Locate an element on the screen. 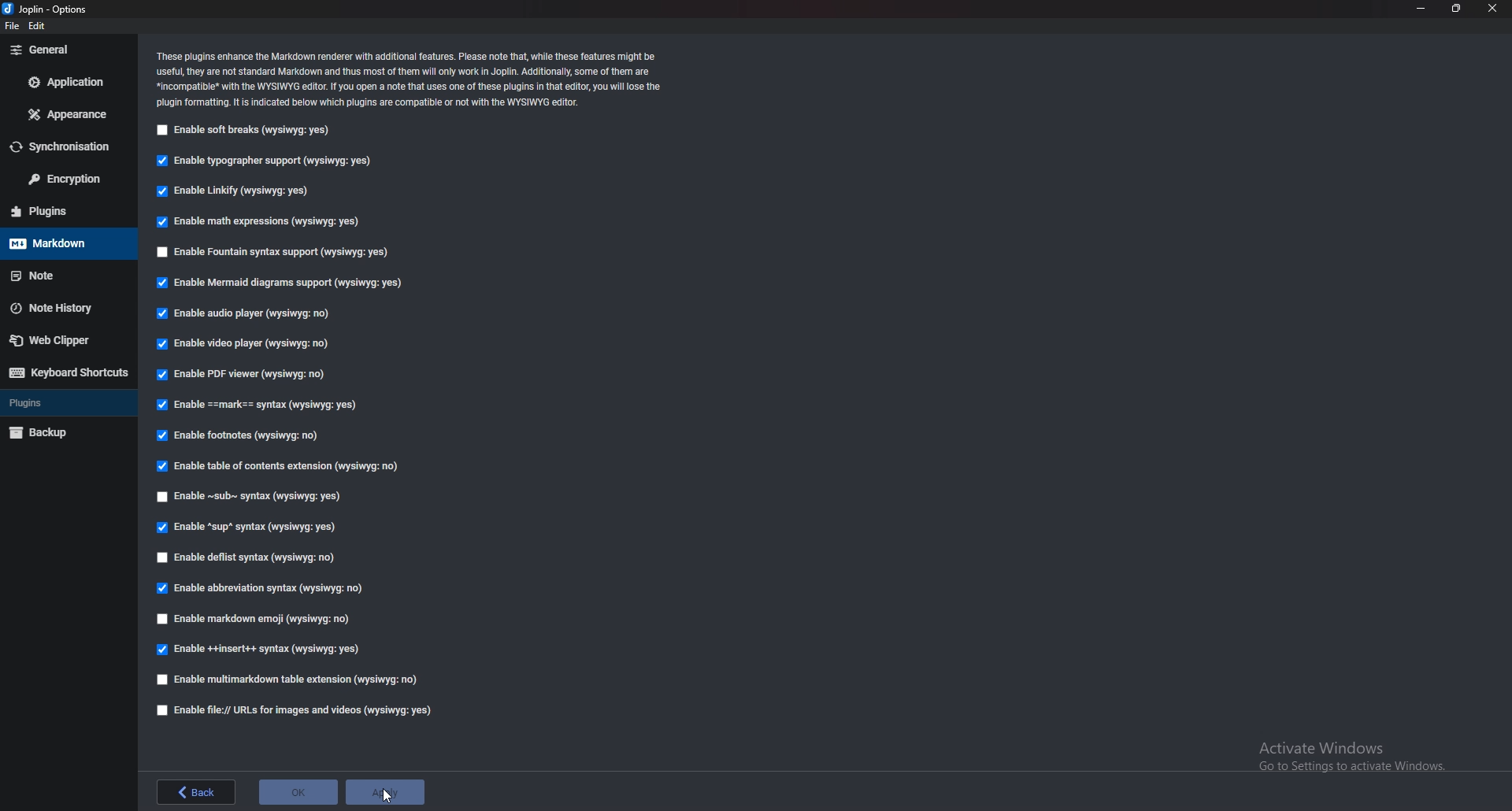 The width and height of the screenshot is (1512, 811). enable fountain syntax support is located at coordinates (279, 252).